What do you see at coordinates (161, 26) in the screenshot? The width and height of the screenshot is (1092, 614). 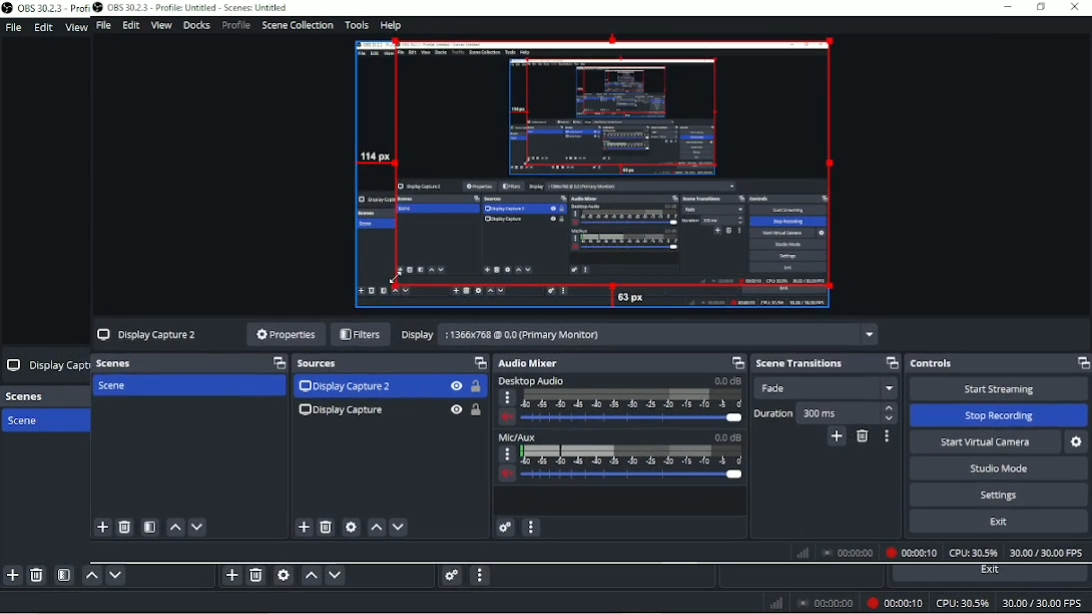 I see `View` at bounding box center [161, 26].